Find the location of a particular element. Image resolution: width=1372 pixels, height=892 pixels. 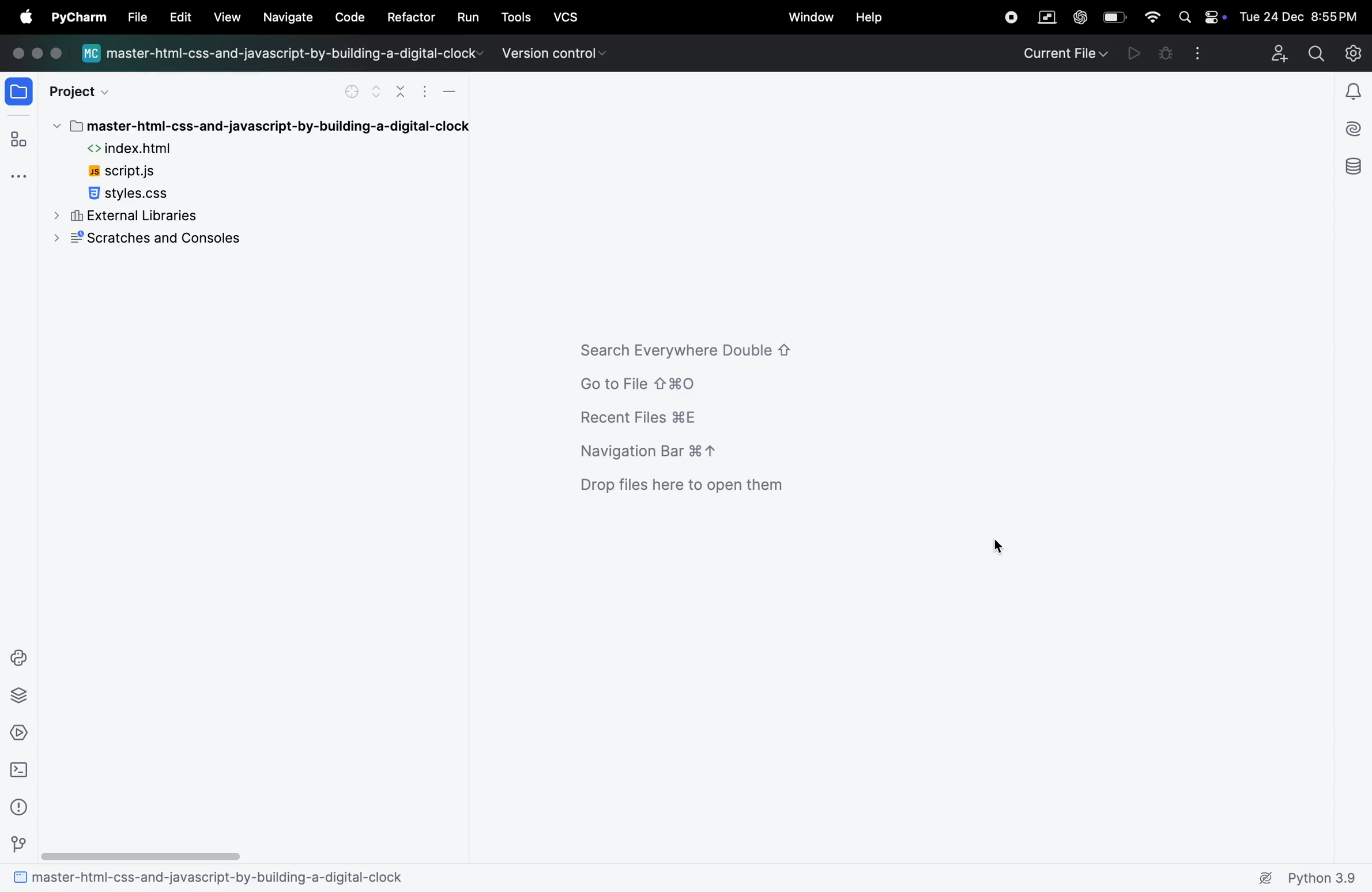

options is located at coordinates (1201, 52).